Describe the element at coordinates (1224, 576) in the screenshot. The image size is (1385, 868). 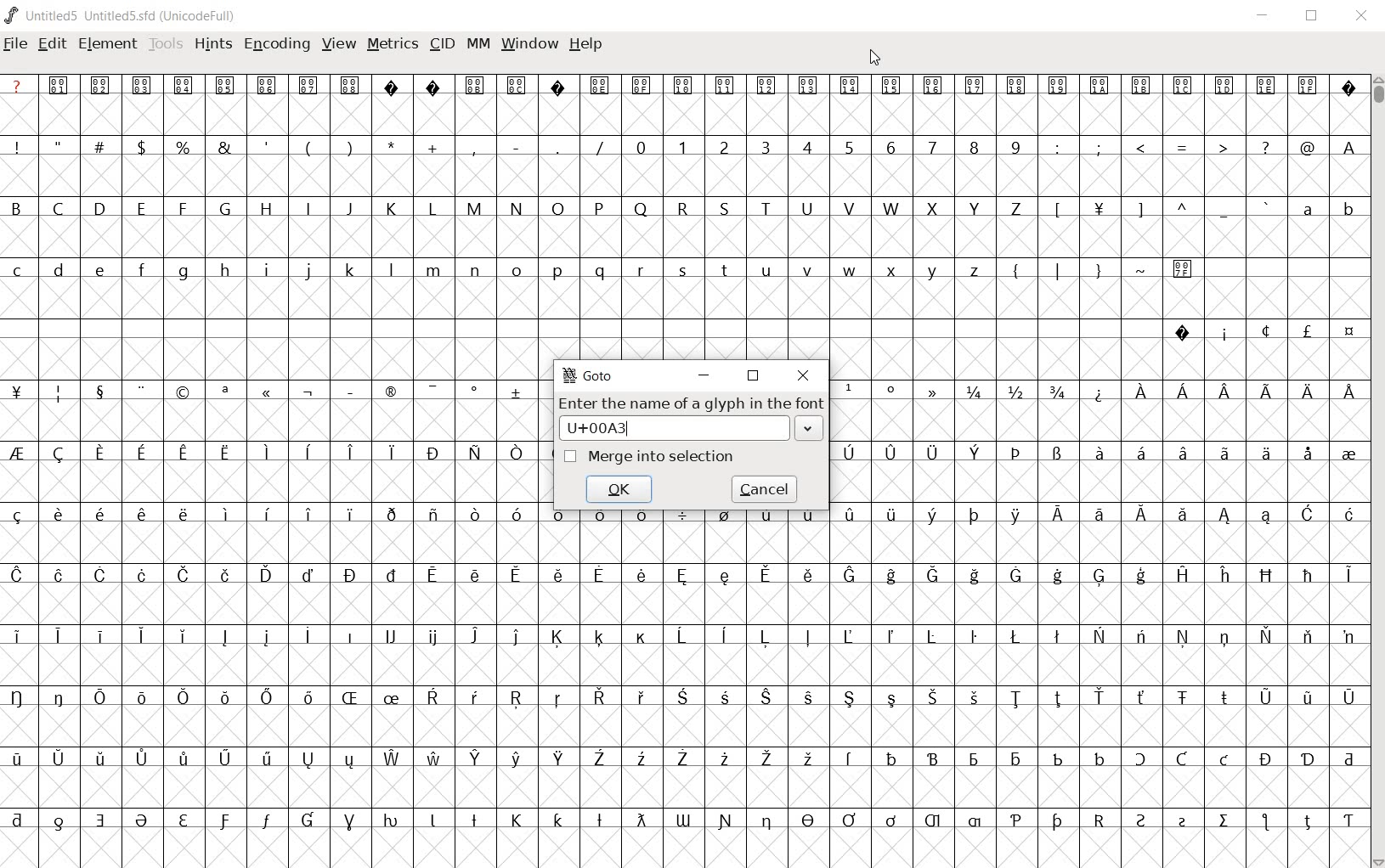
I see `Symbol` at that location.